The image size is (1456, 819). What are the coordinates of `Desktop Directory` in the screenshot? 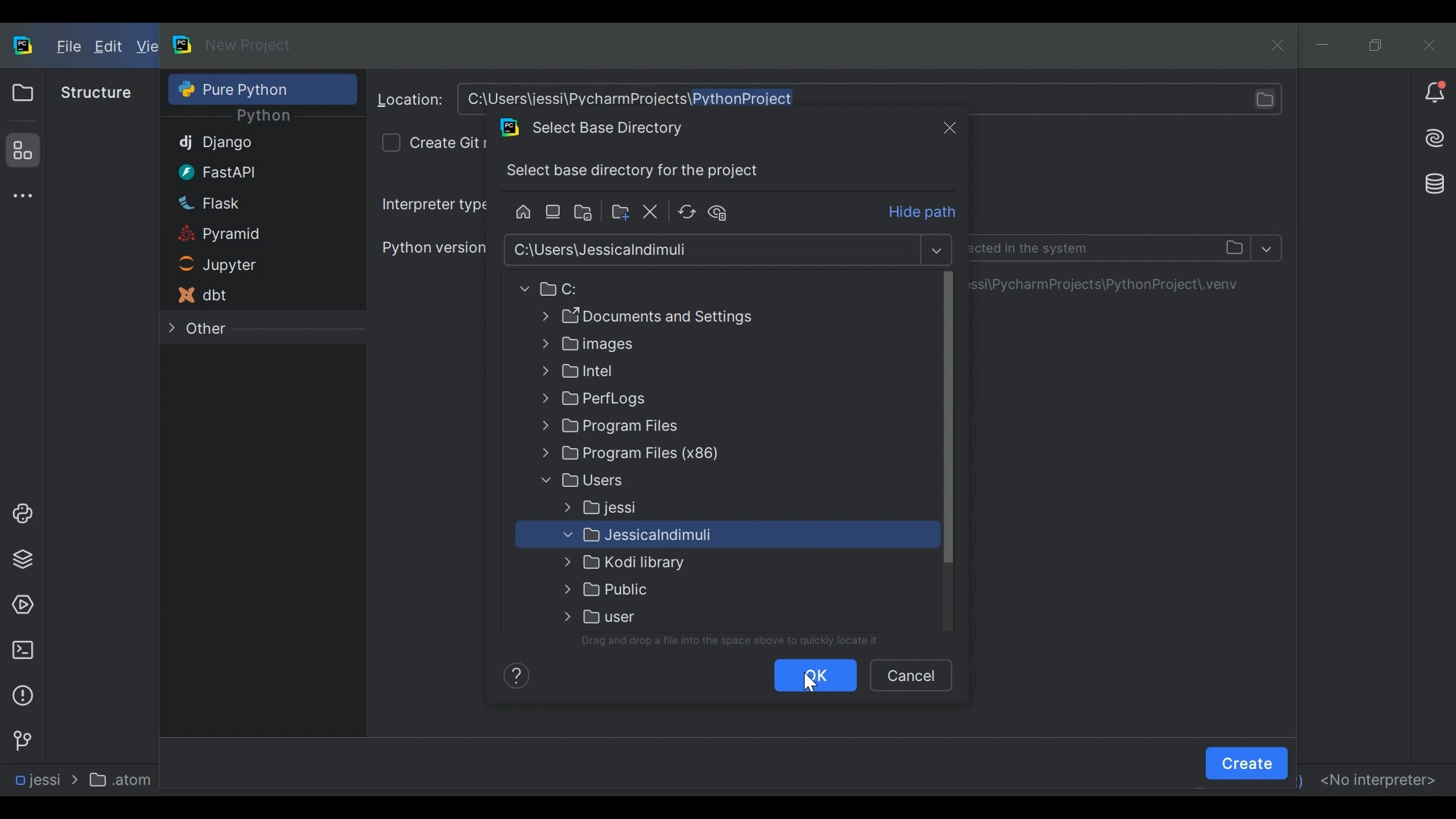 It's located at (554, 212).